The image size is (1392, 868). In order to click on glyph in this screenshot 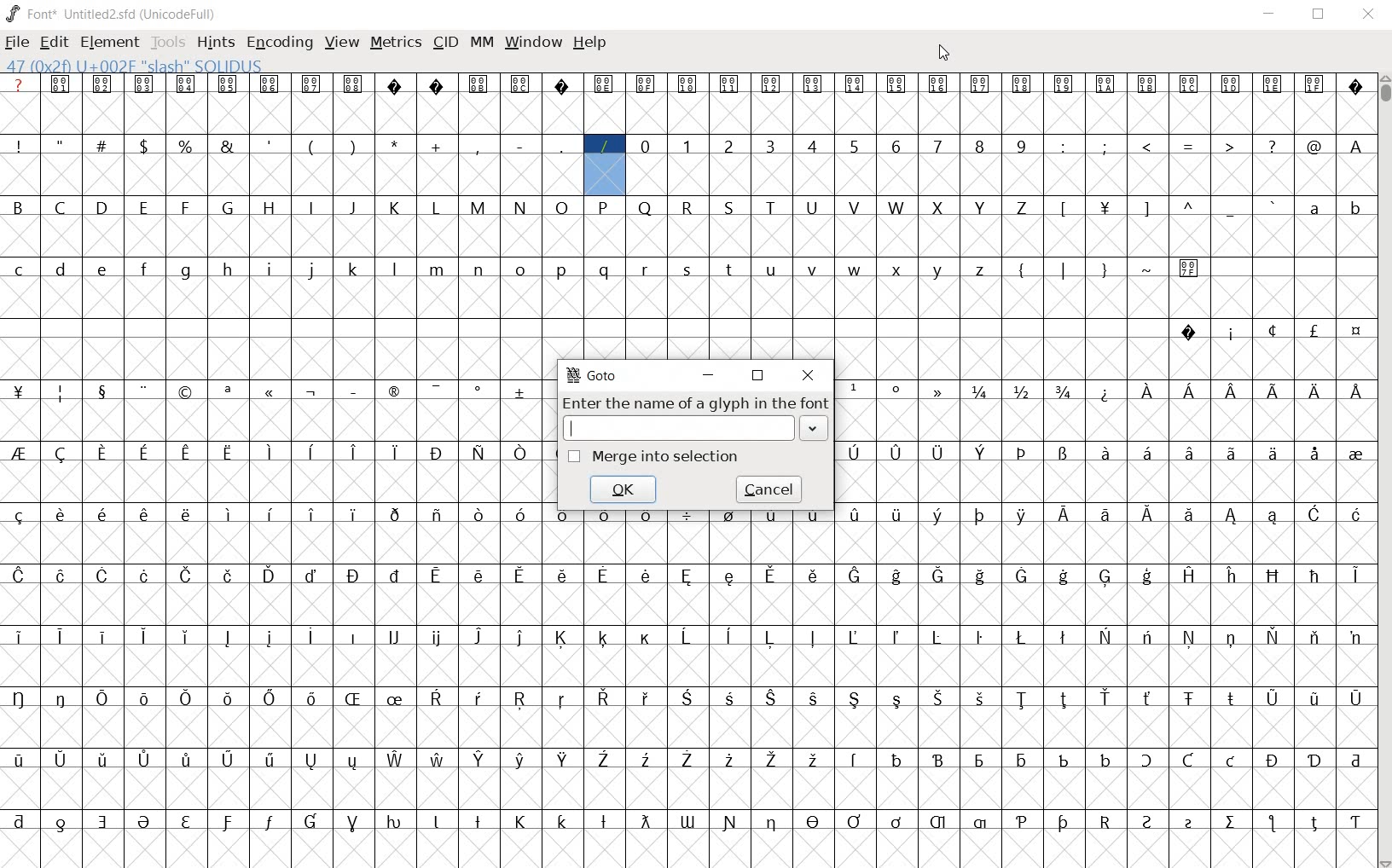, I will do `click(394, 515)`.